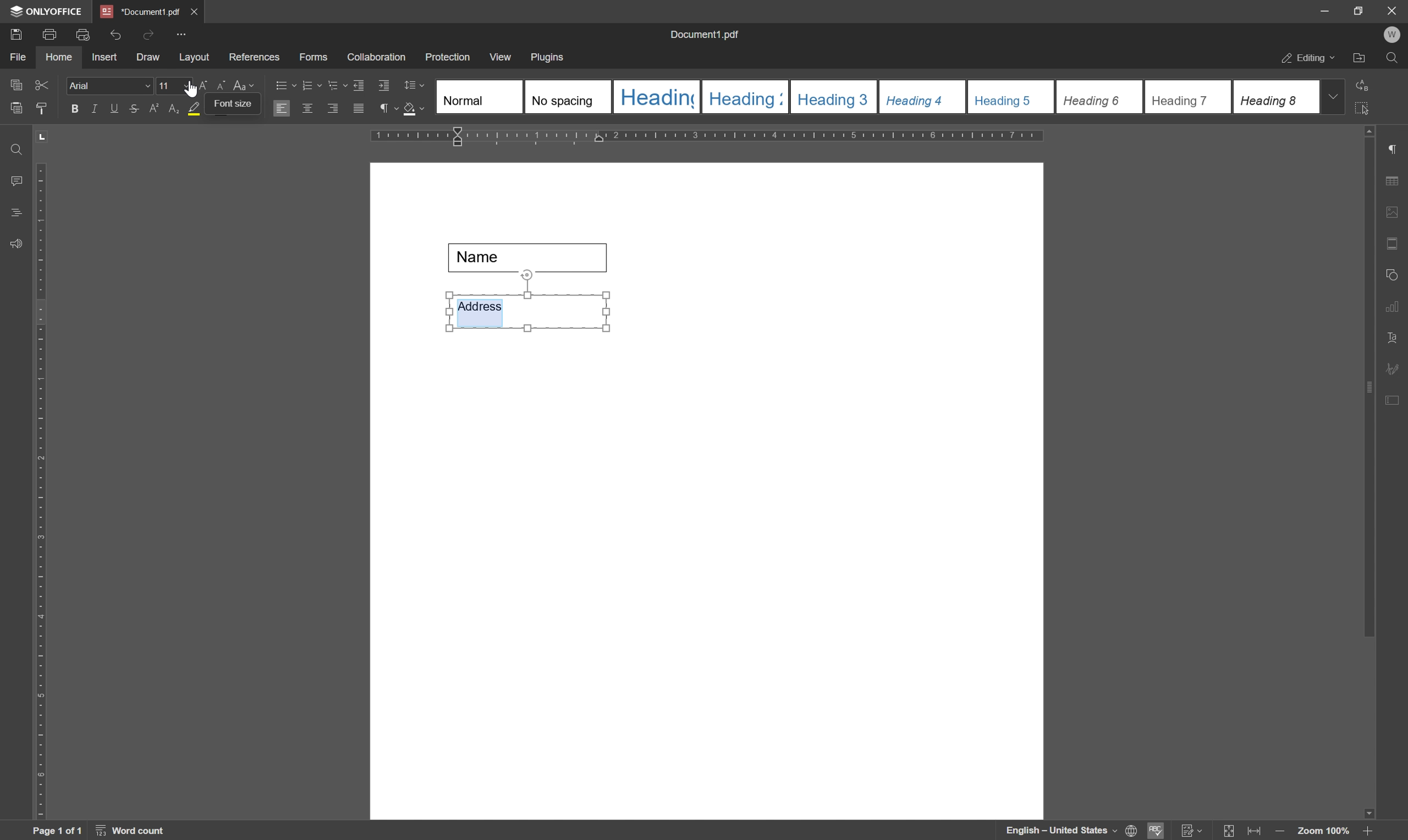  I want to click on editing, so click(1307, 59).